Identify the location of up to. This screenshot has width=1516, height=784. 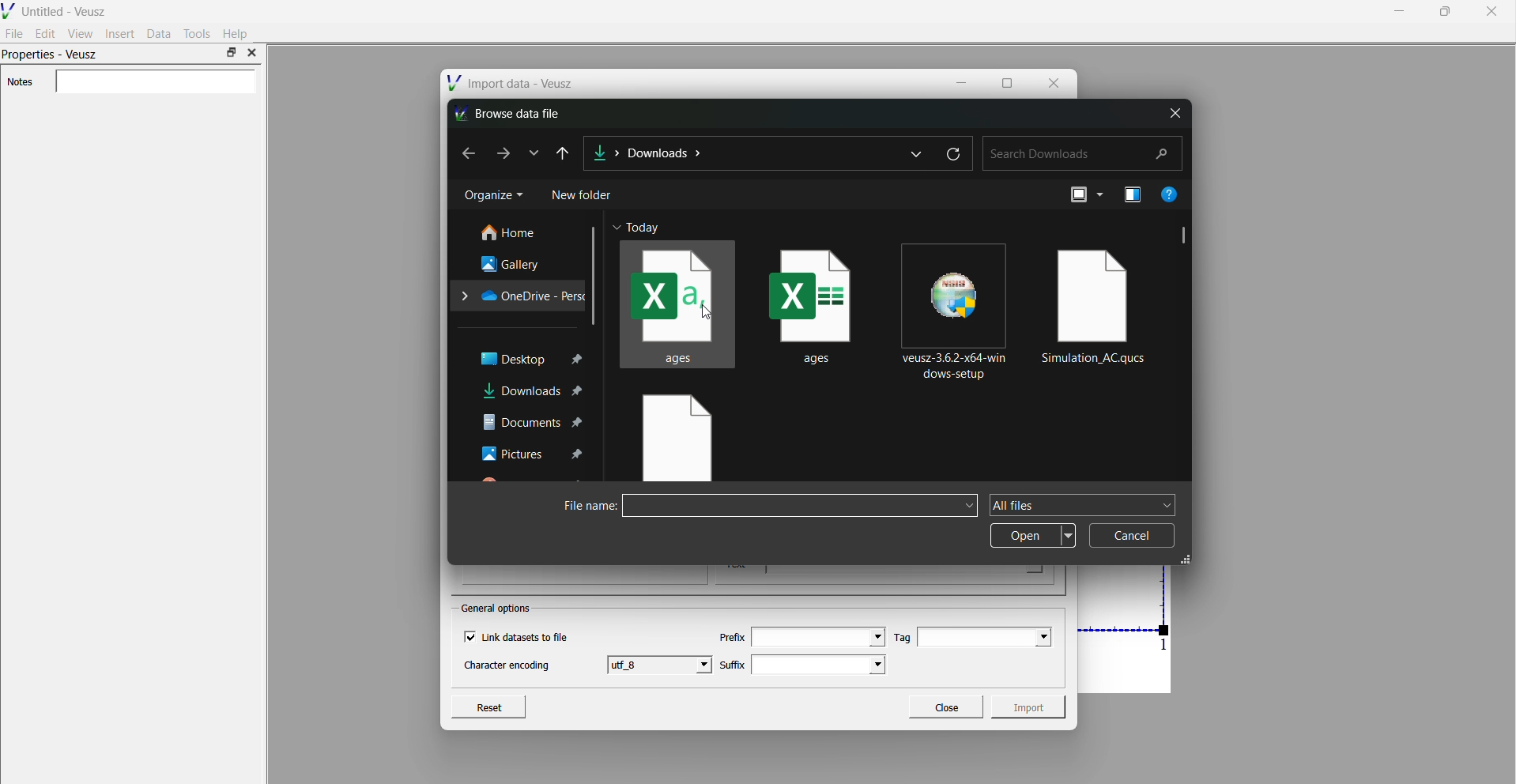
(564, 153).